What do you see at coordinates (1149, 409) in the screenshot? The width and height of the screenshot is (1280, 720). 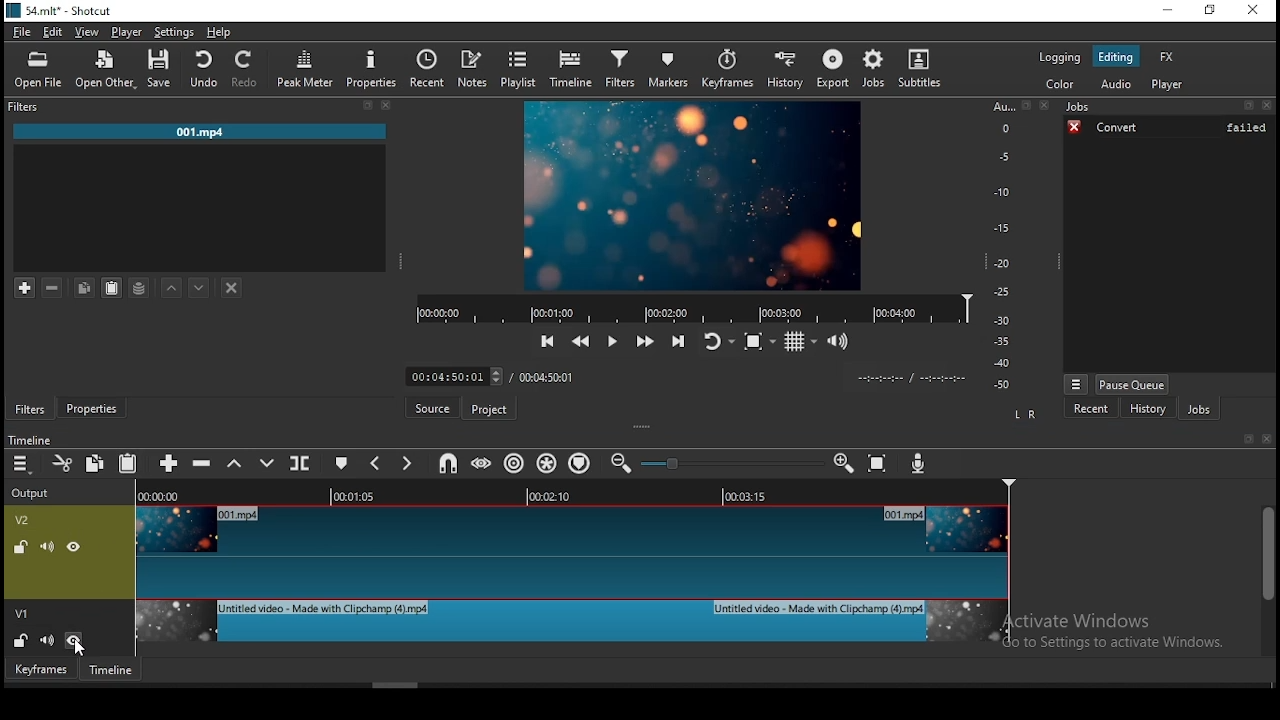 I see `history` at bounding box center [1149, 409].